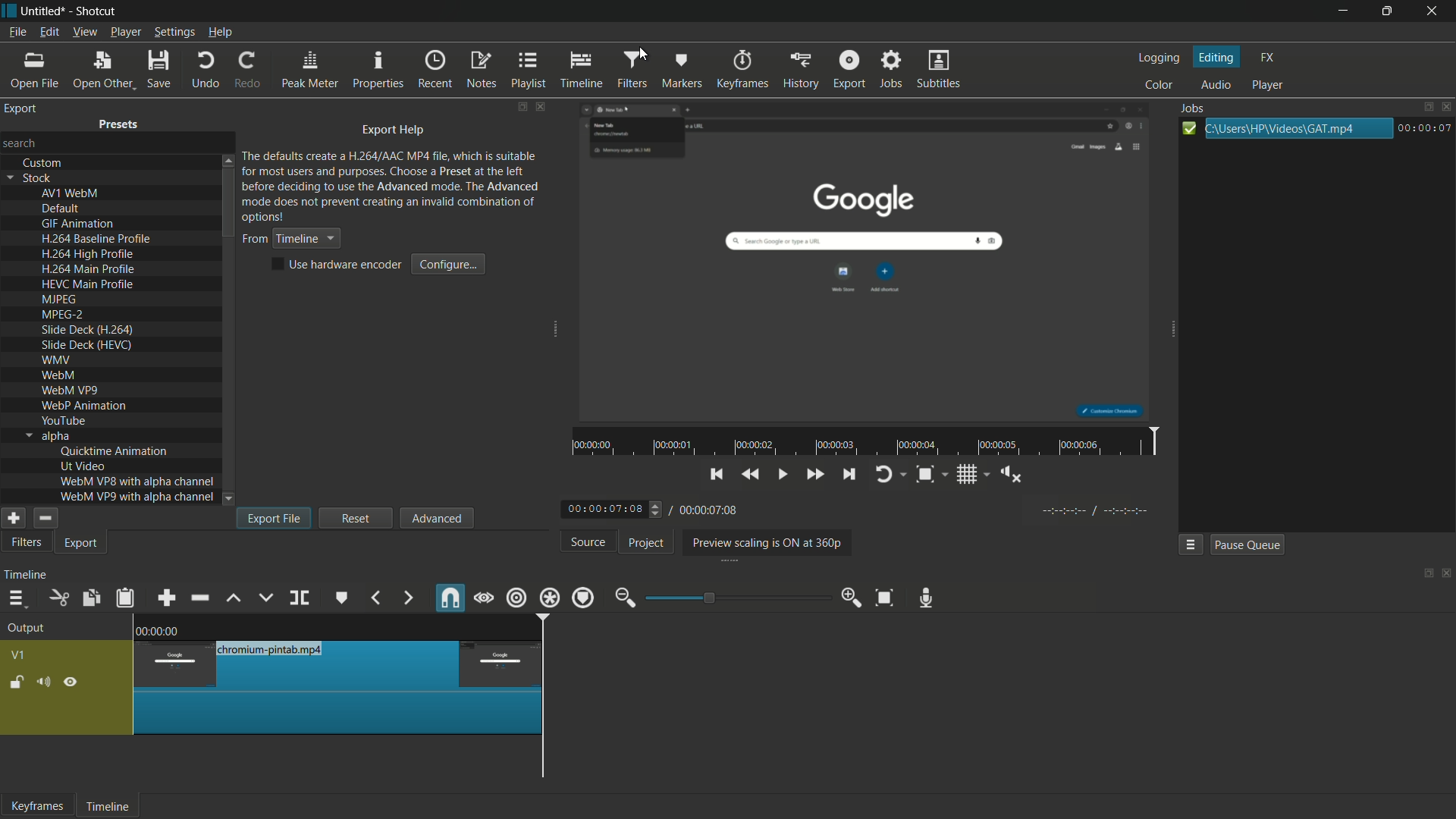 The width and height of the screenshot is (1456, 819). I want to click on akash-personal, so click(27, 144).